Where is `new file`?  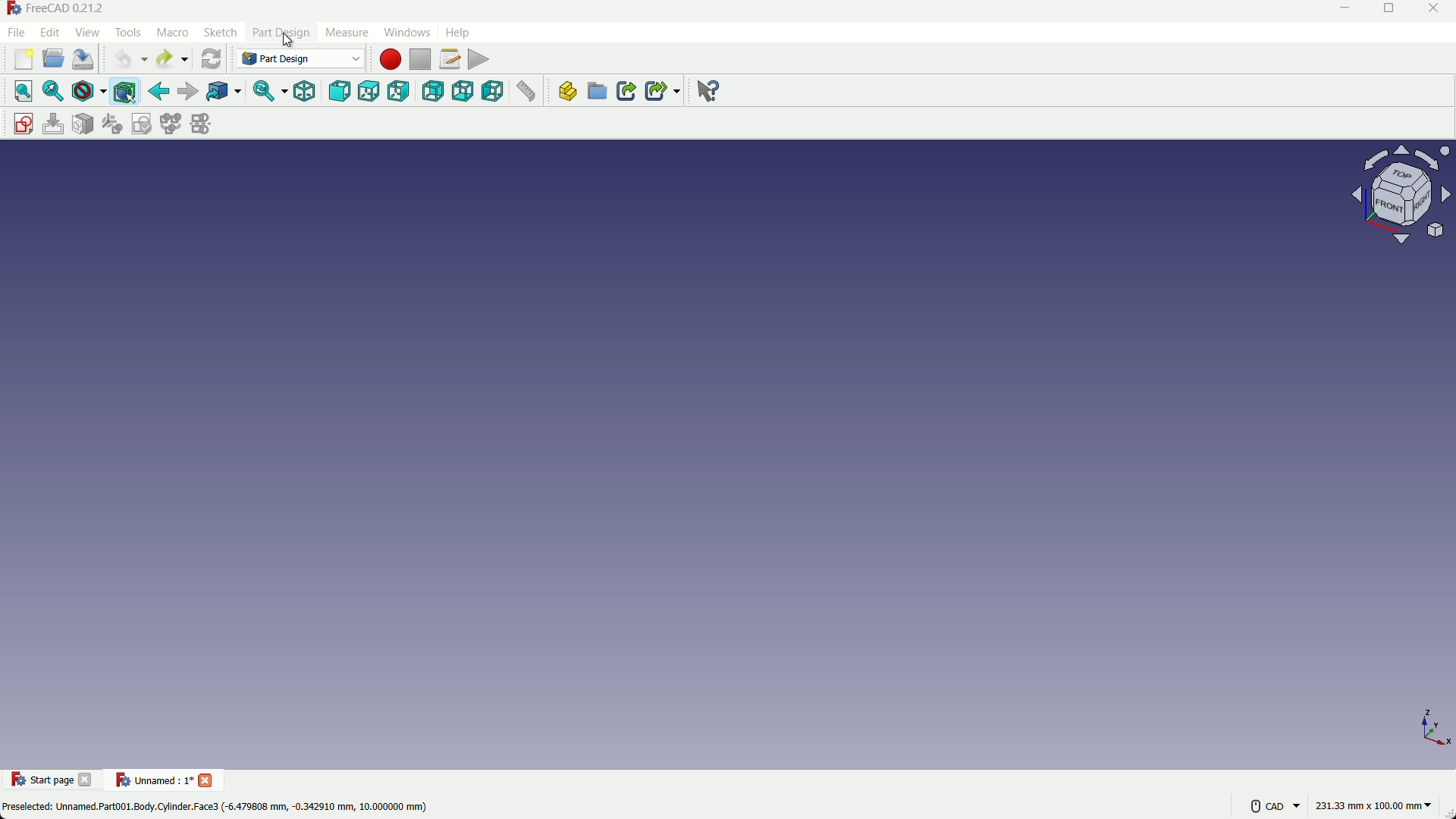
new file is located at coordinates (24, 60).